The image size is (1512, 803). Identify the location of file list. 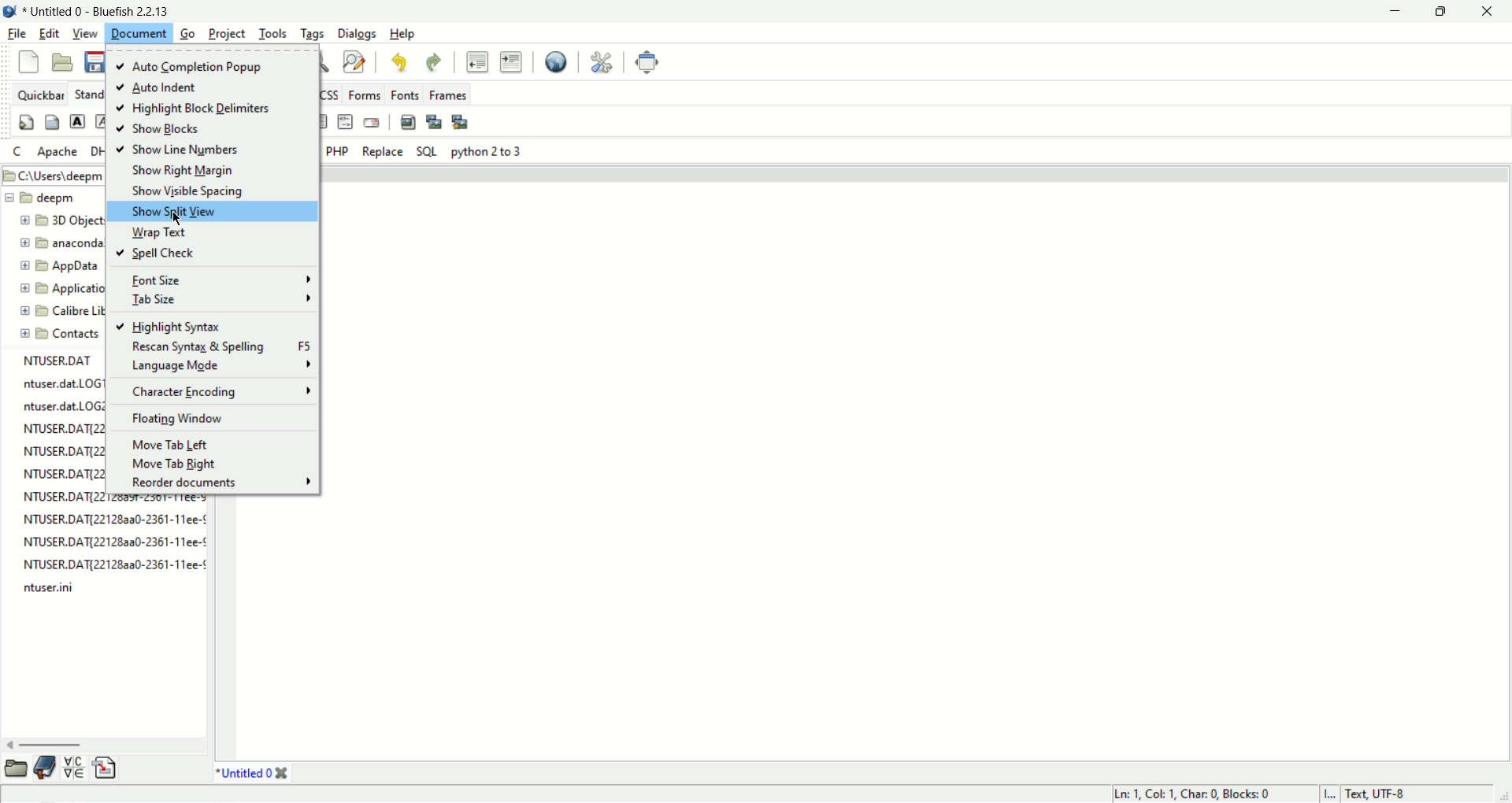
(114, 531).